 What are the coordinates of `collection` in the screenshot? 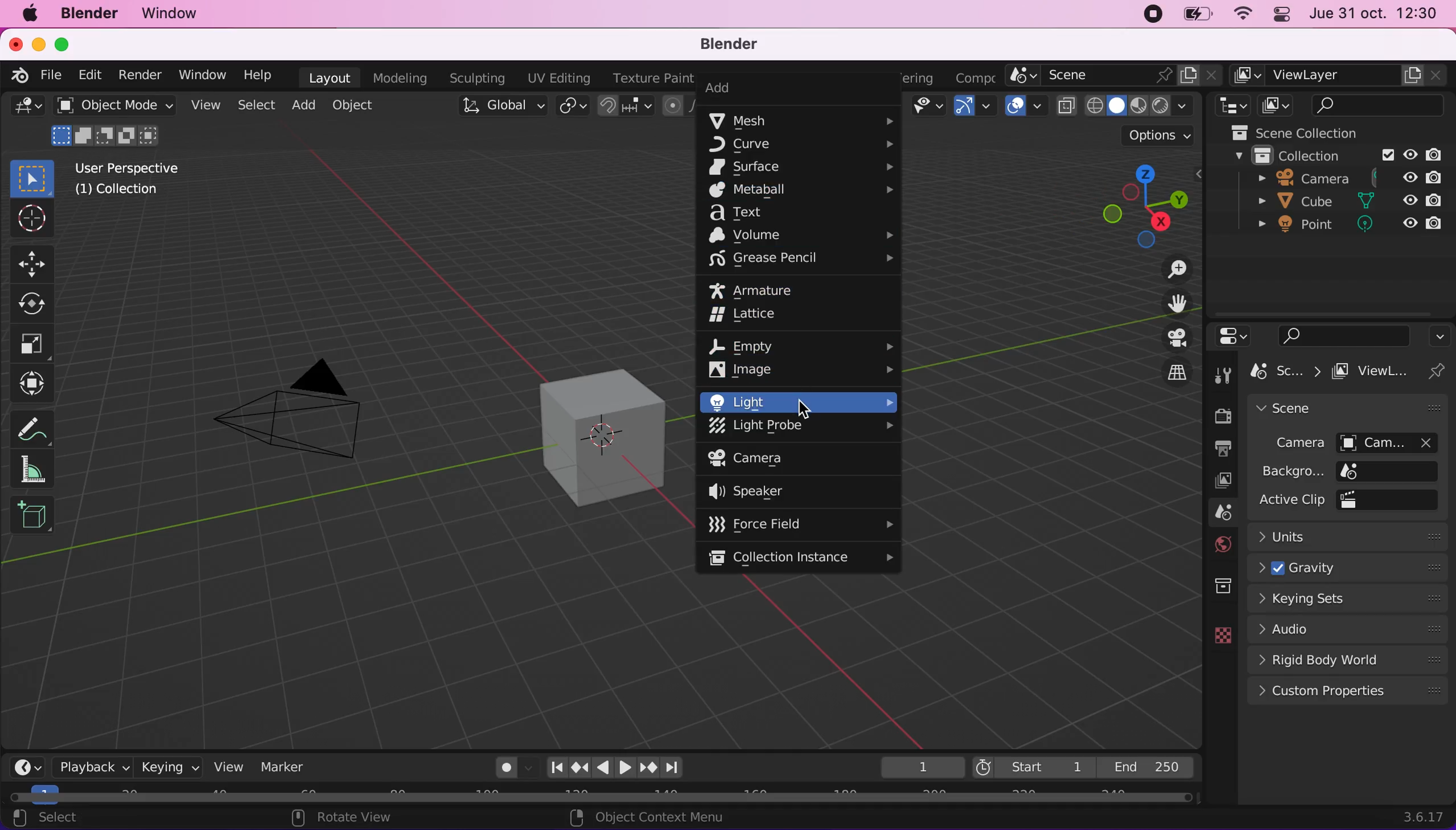 It's located at (1287, 154).